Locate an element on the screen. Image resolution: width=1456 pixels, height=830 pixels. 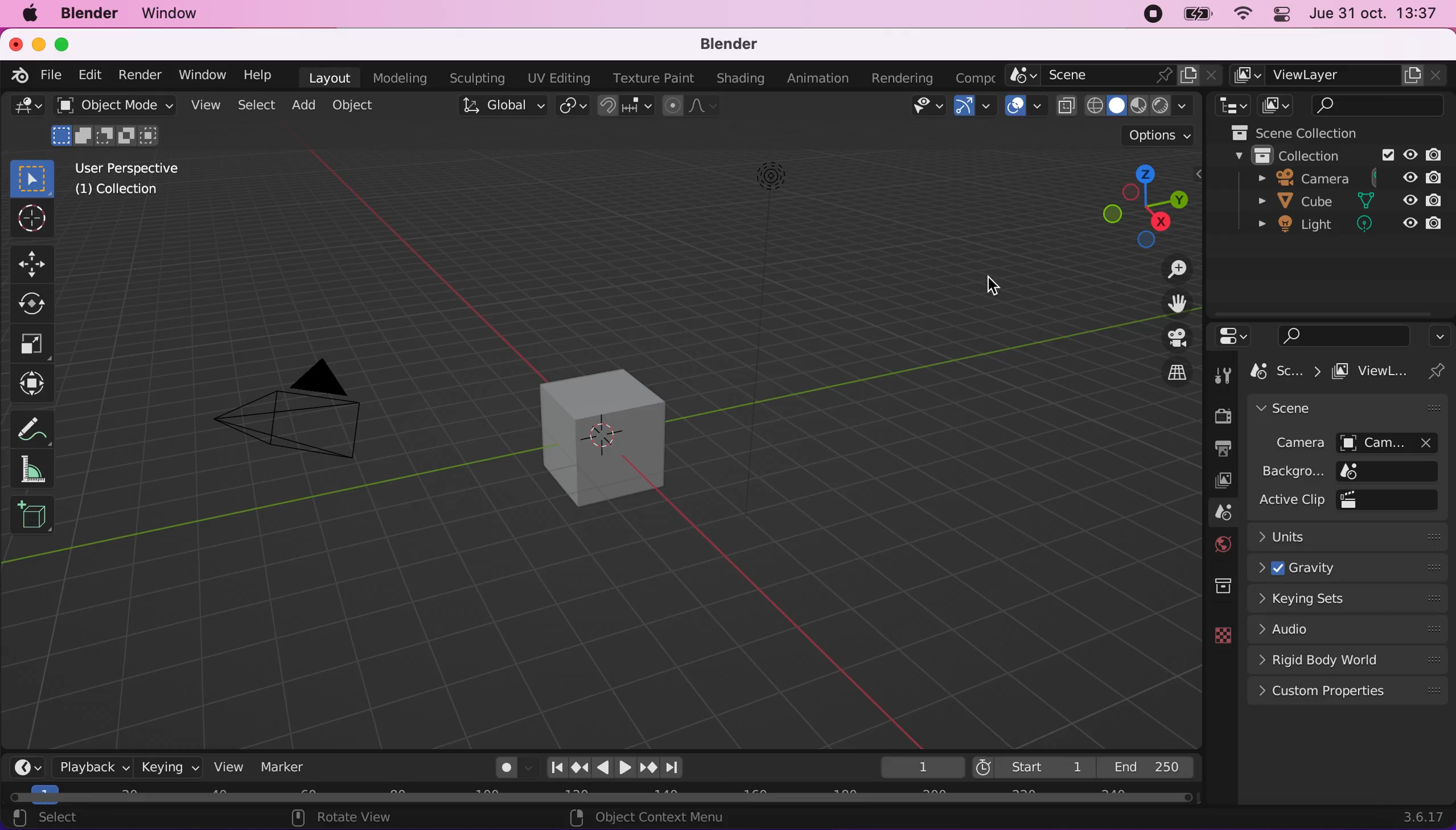
cursor is located at coordinates (994, 284).